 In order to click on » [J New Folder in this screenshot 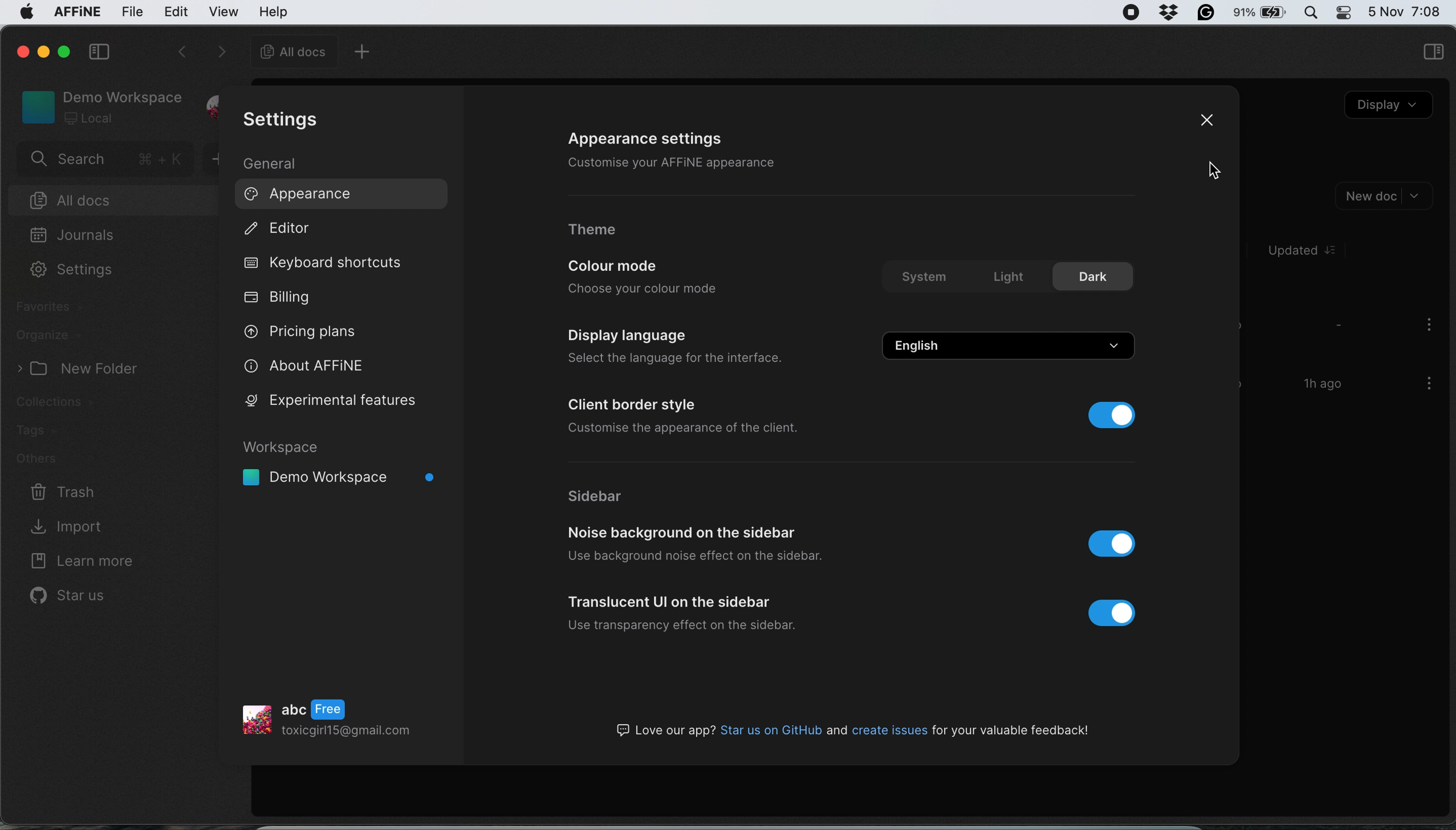, I will do `click(77, 367)`.